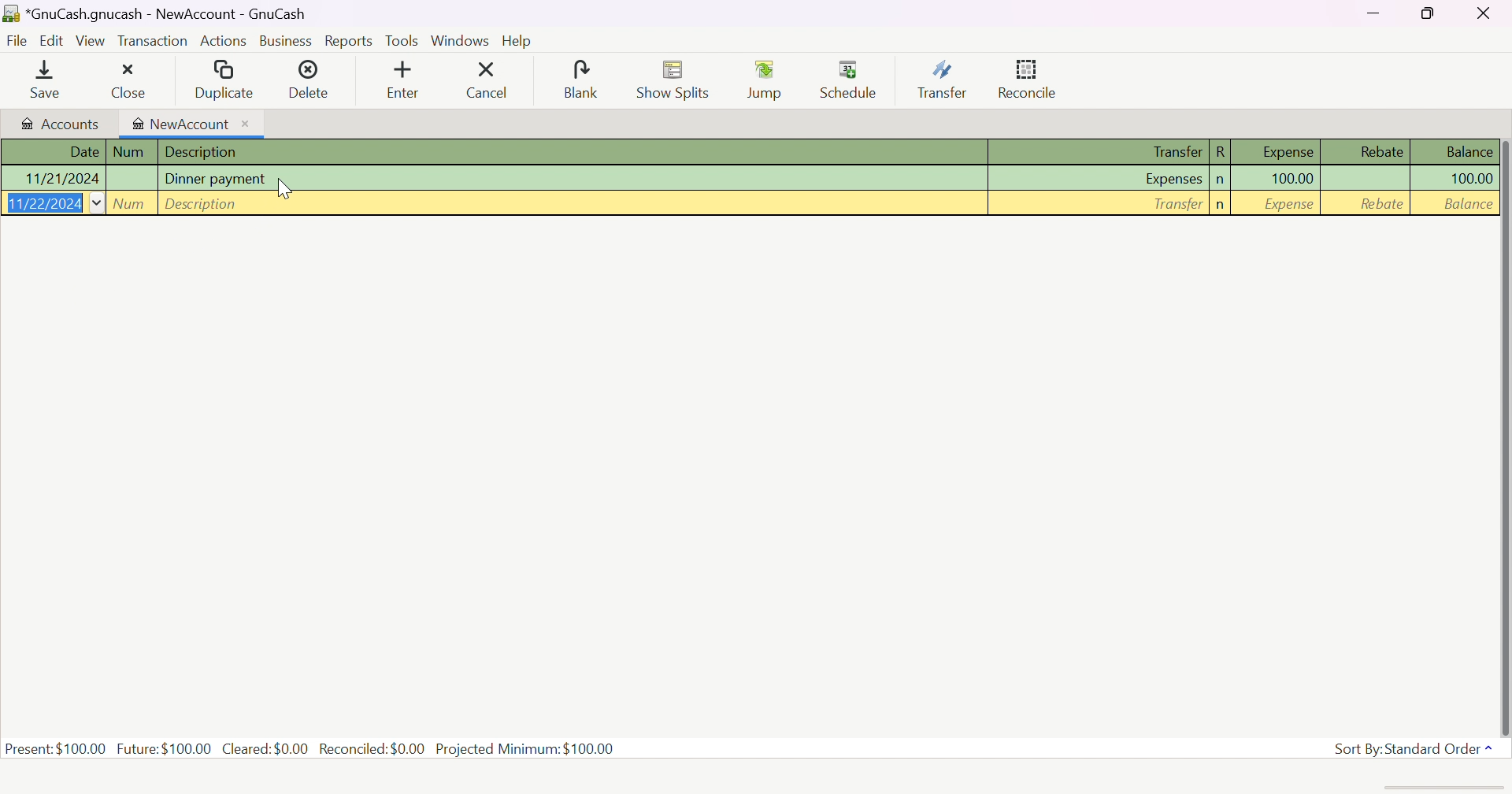 The image size is (1512, 794). Describe the element at coordinates (1170, 180) in the screenshot. I see `Expenses` at that location.